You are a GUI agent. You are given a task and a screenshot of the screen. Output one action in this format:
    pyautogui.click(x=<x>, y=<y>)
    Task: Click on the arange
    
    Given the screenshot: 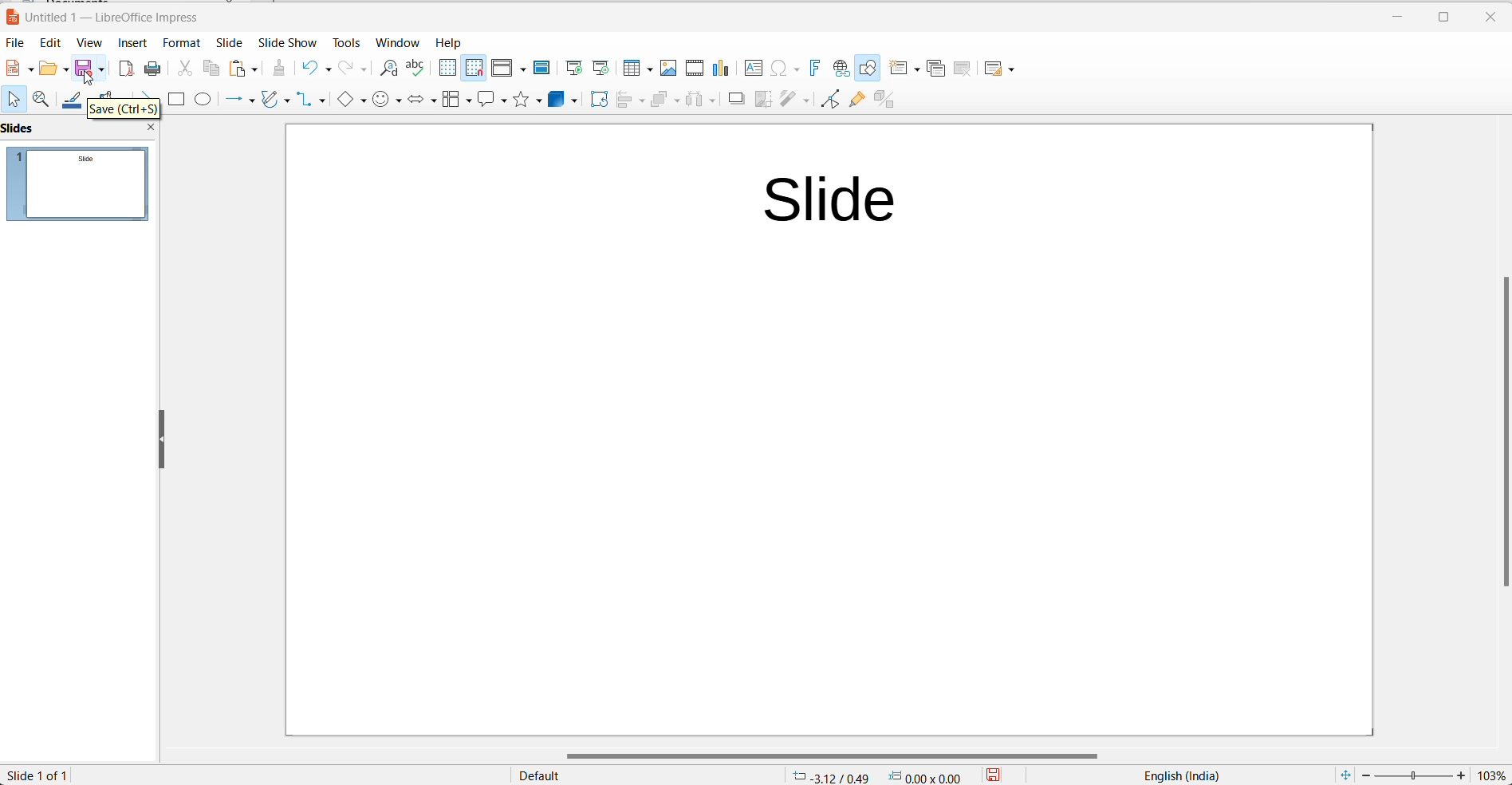 What is the action you would take?
    pyautogui.click(x=664, y=102)
    